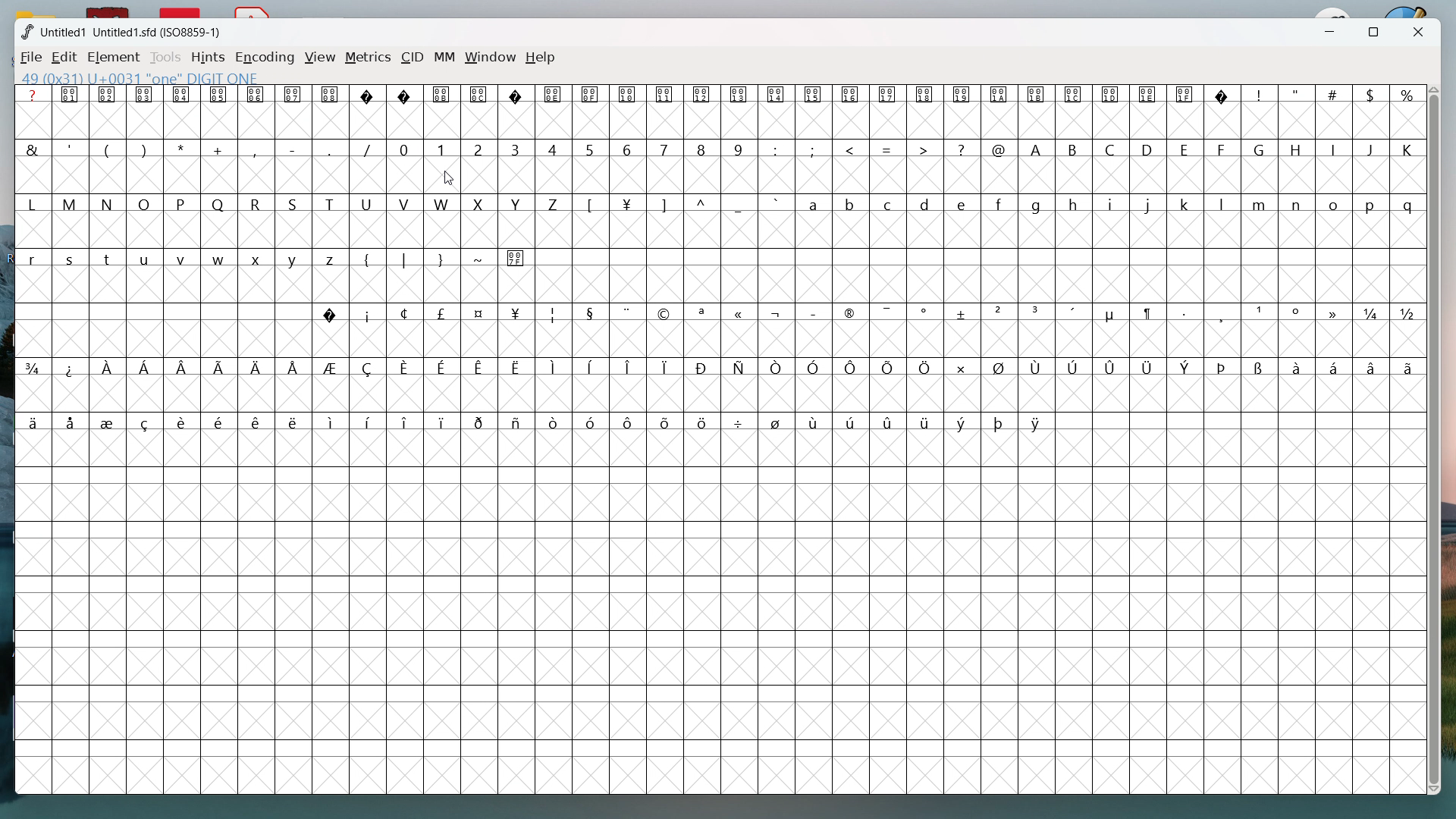 This screenshot has height=819, width=1456. I want to click on symbol, so click(555, 94).